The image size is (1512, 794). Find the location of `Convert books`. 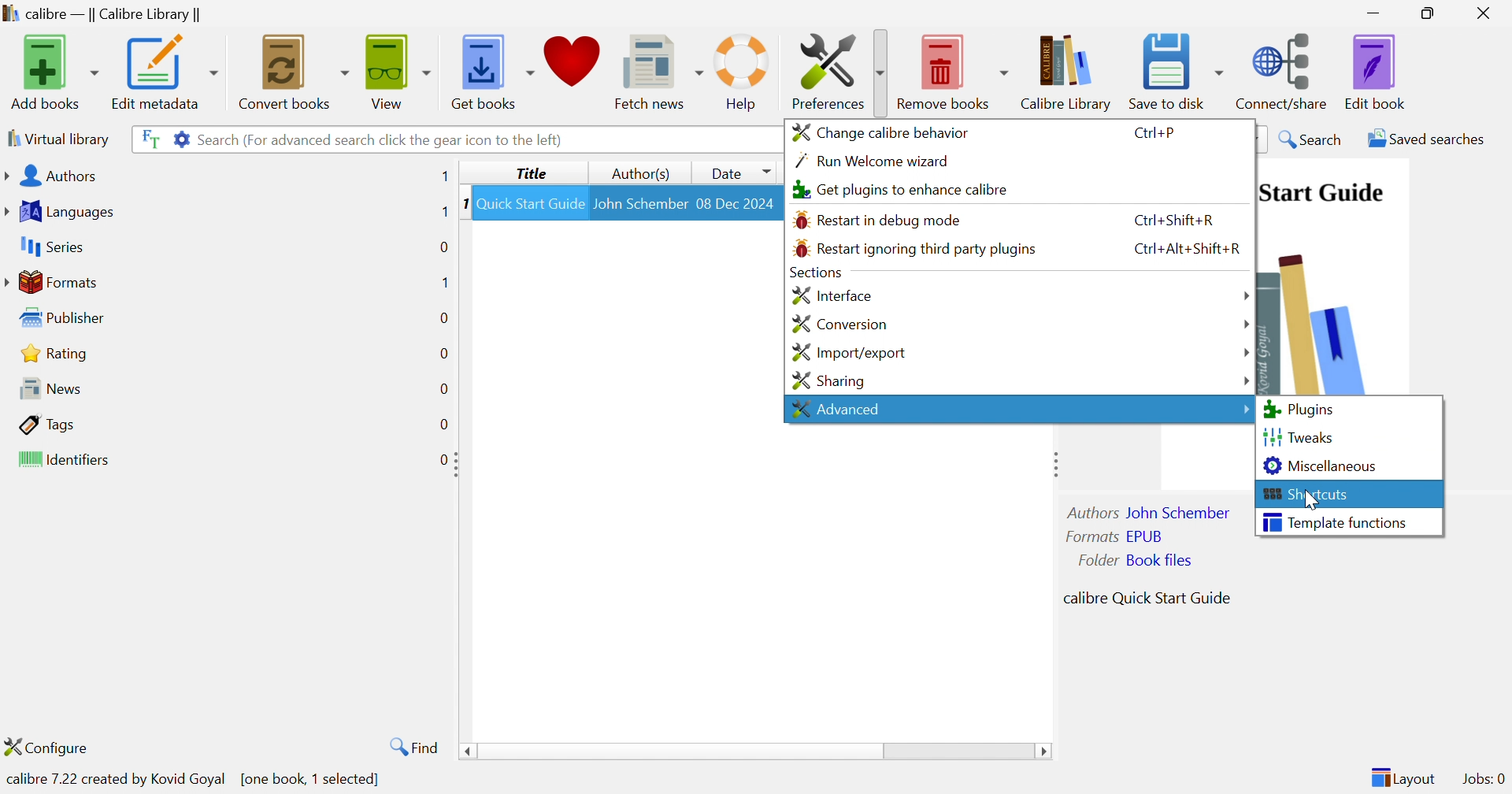

Convert books is located at coordinates (291, 70).